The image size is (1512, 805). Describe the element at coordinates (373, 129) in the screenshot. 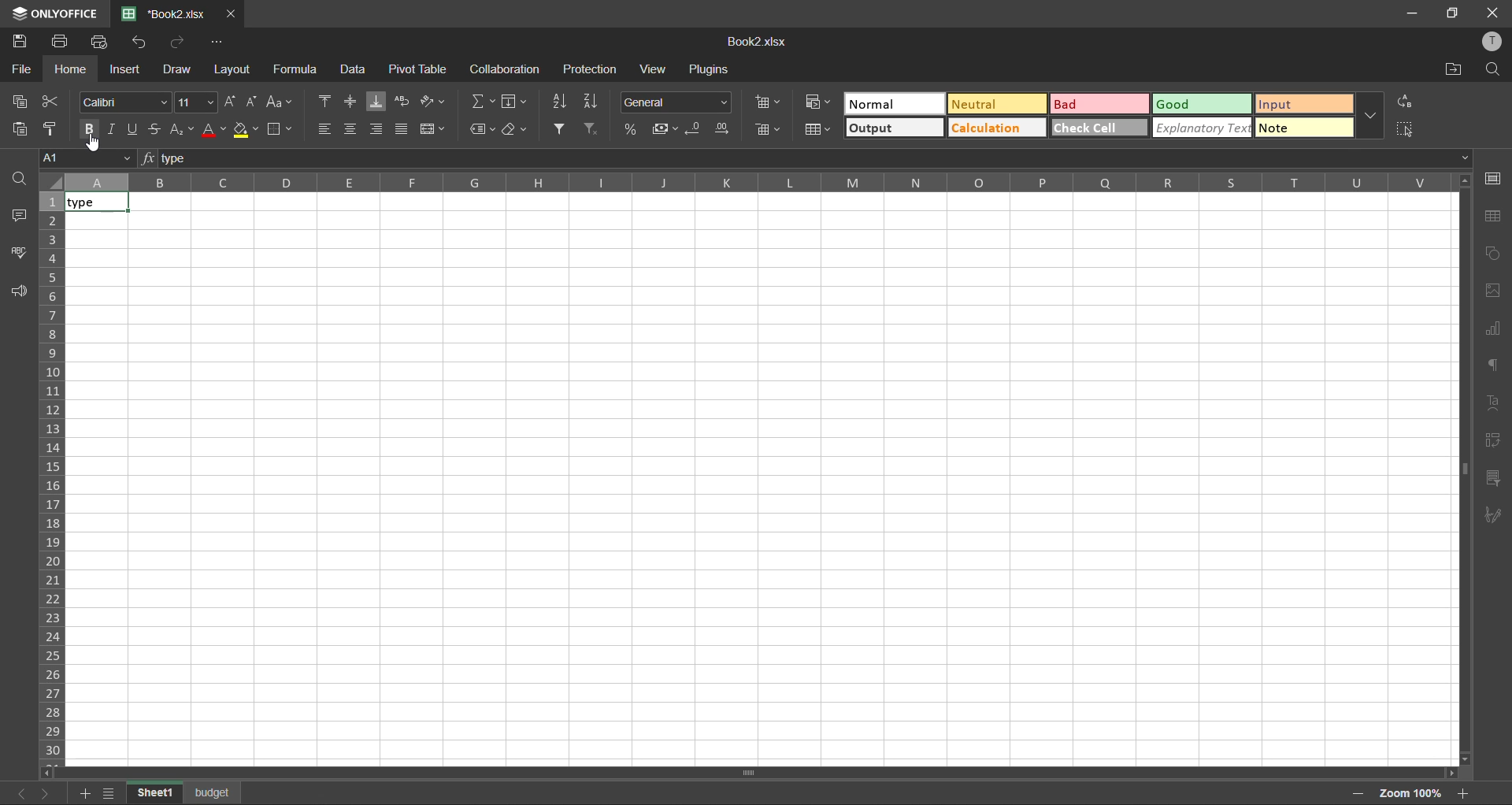

I see `align right` at that location.